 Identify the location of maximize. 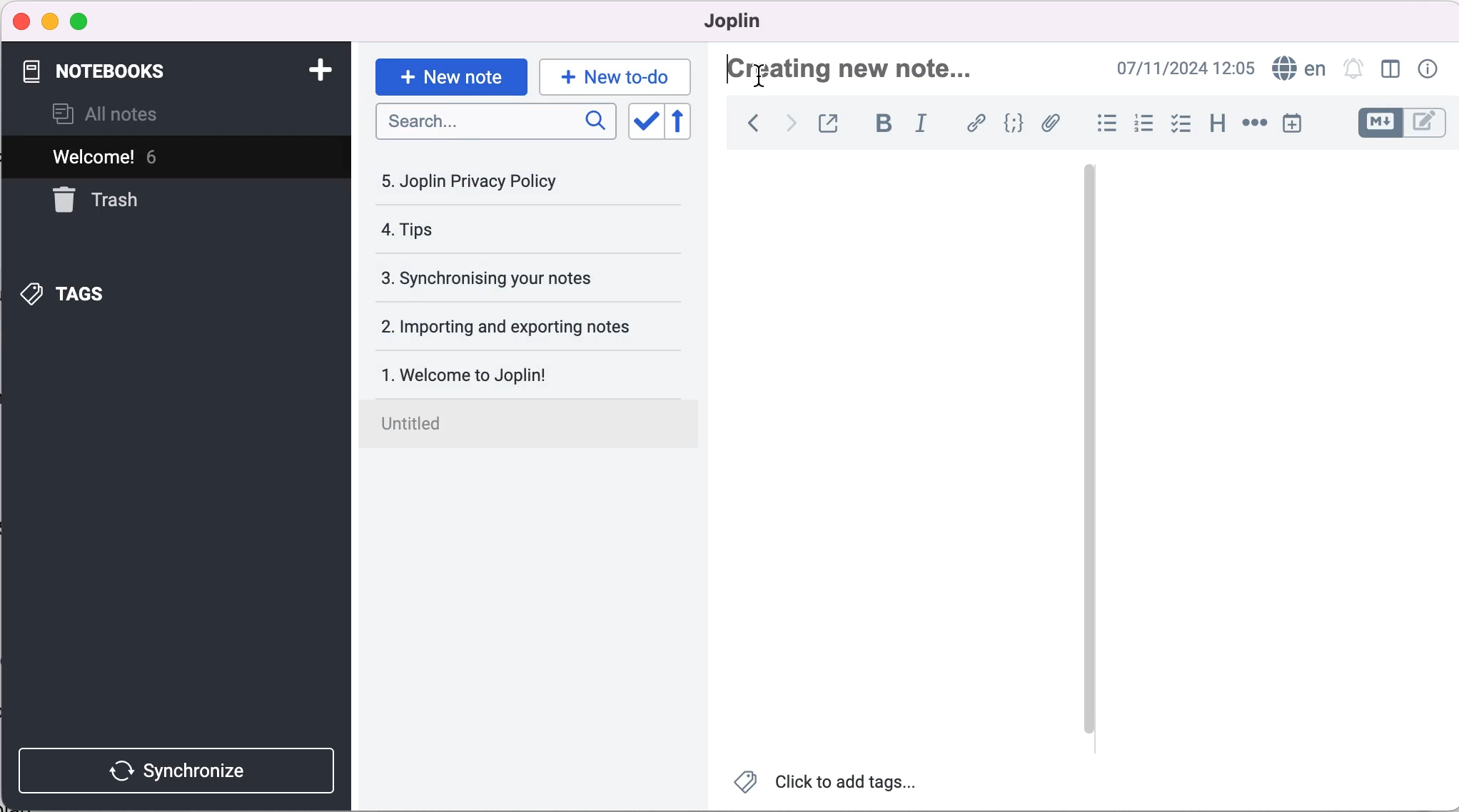
(83, 21).